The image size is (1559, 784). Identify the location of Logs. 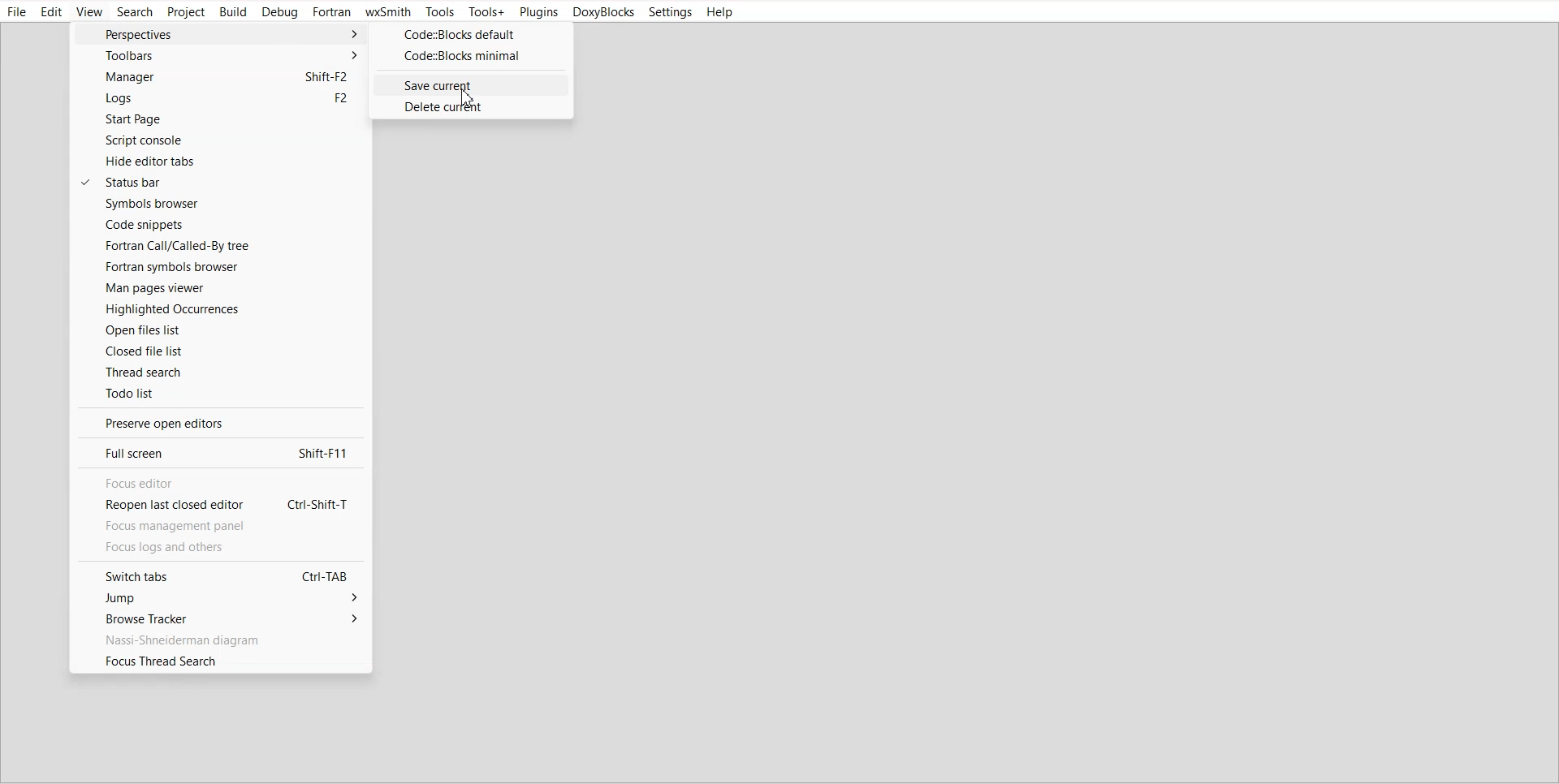
(217, 99).